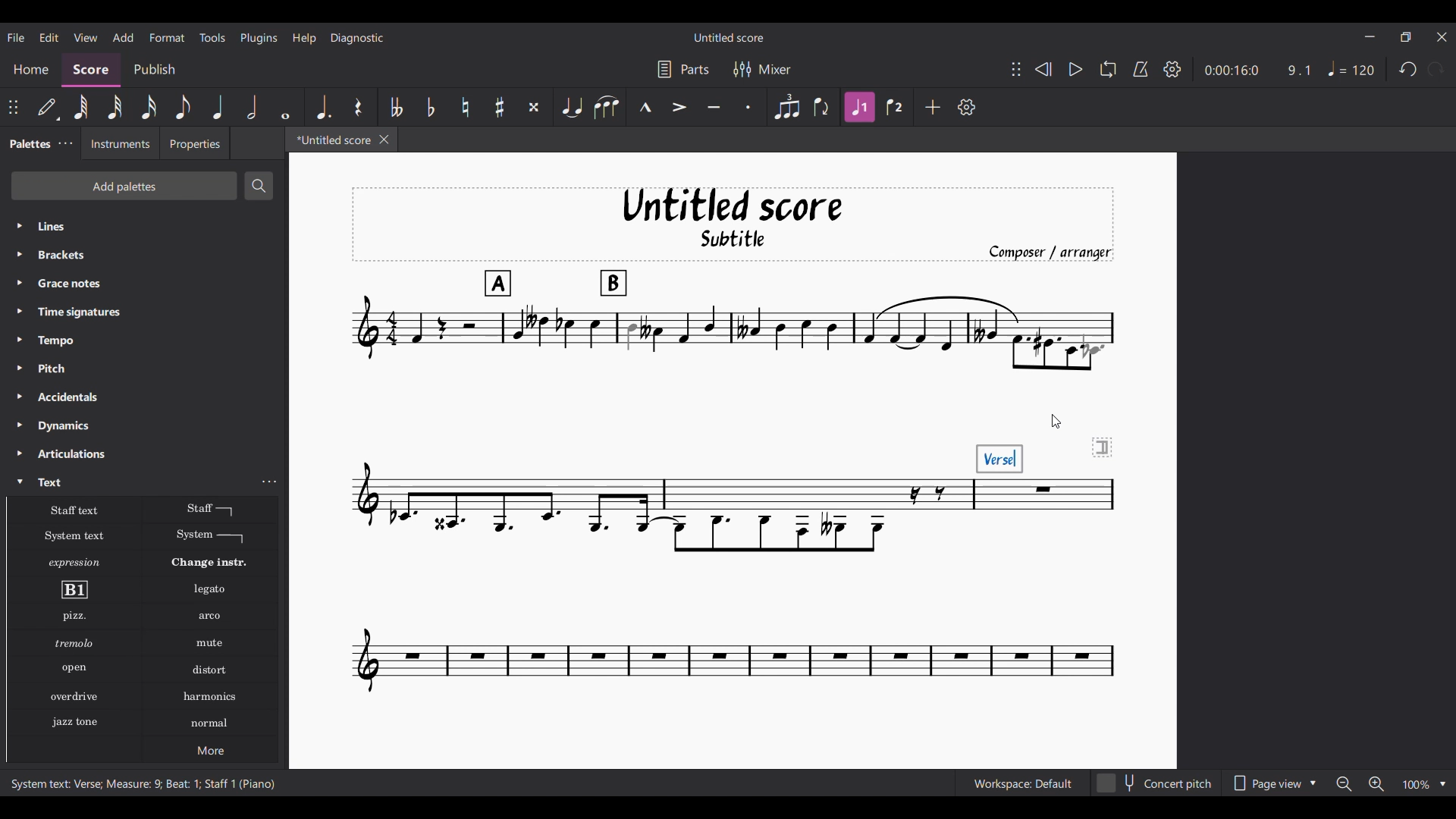  I want to click on Tie, so click(571, 106).